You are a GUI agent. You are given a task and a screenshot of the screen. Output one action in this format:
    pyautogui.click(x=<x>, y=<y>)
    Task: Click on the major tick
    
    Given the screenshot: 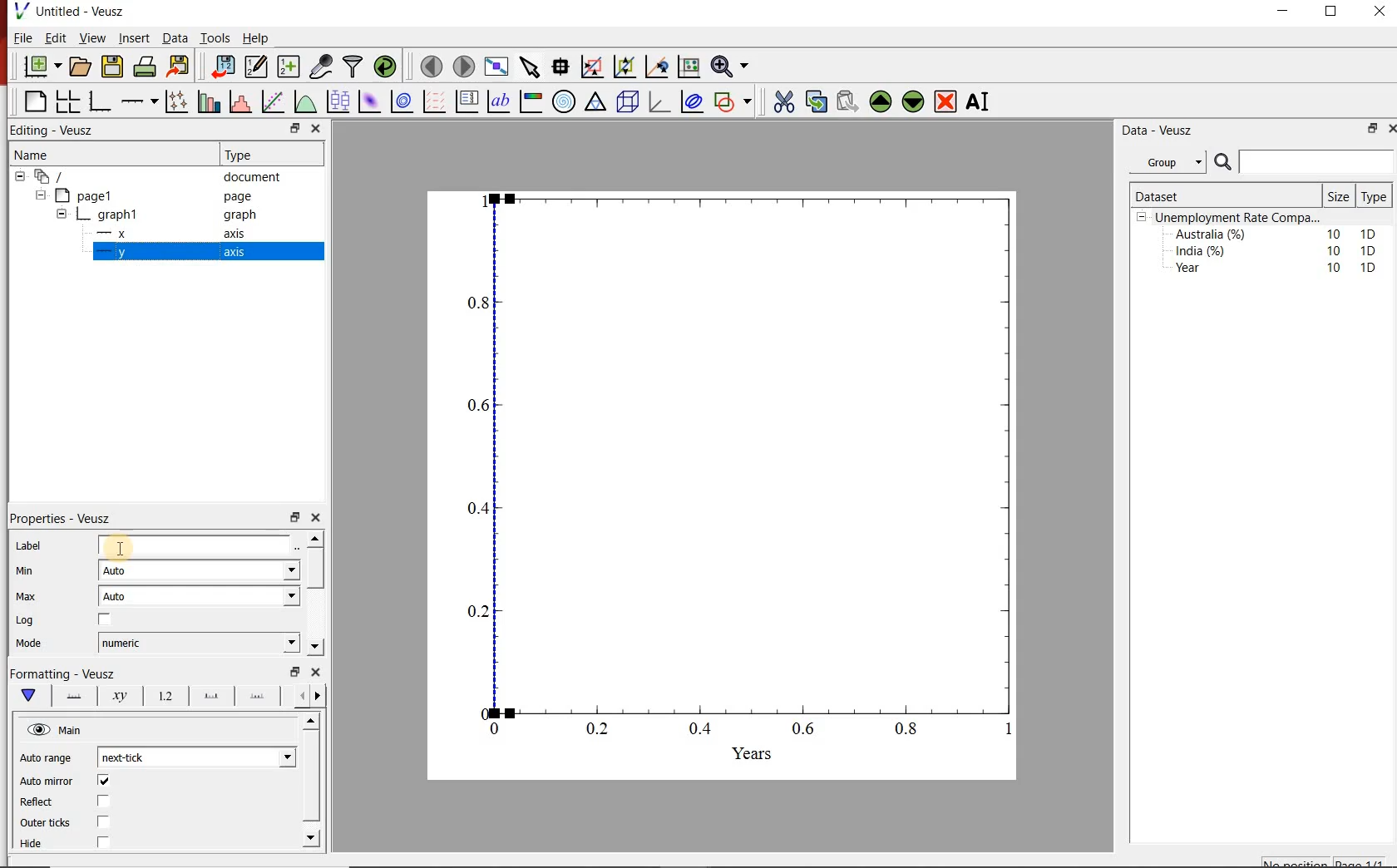 What is the action you would take?
    pyautogui.click(x=211, y=696)
    